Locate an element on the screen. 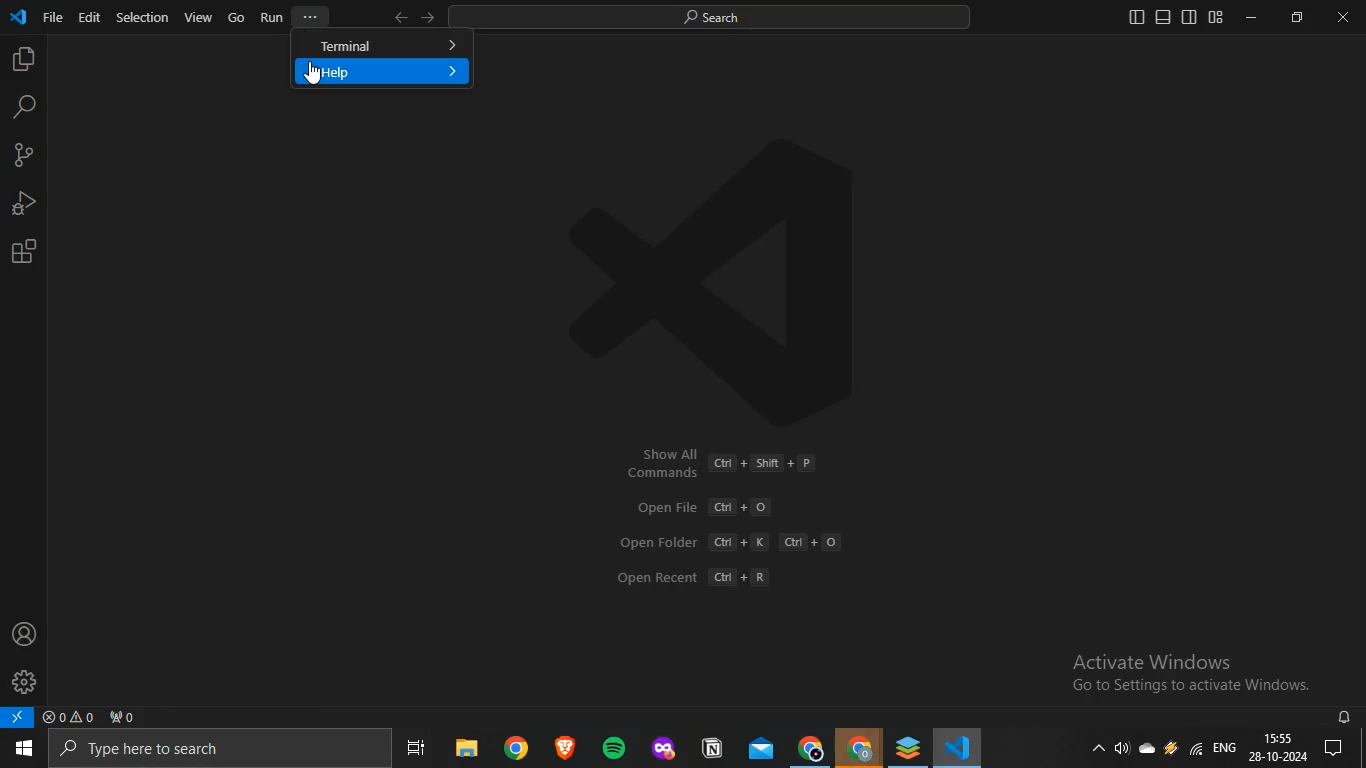 The width and height of the screenshot is (1366, 768). onlyoffice is located at coordinates (906, 747).